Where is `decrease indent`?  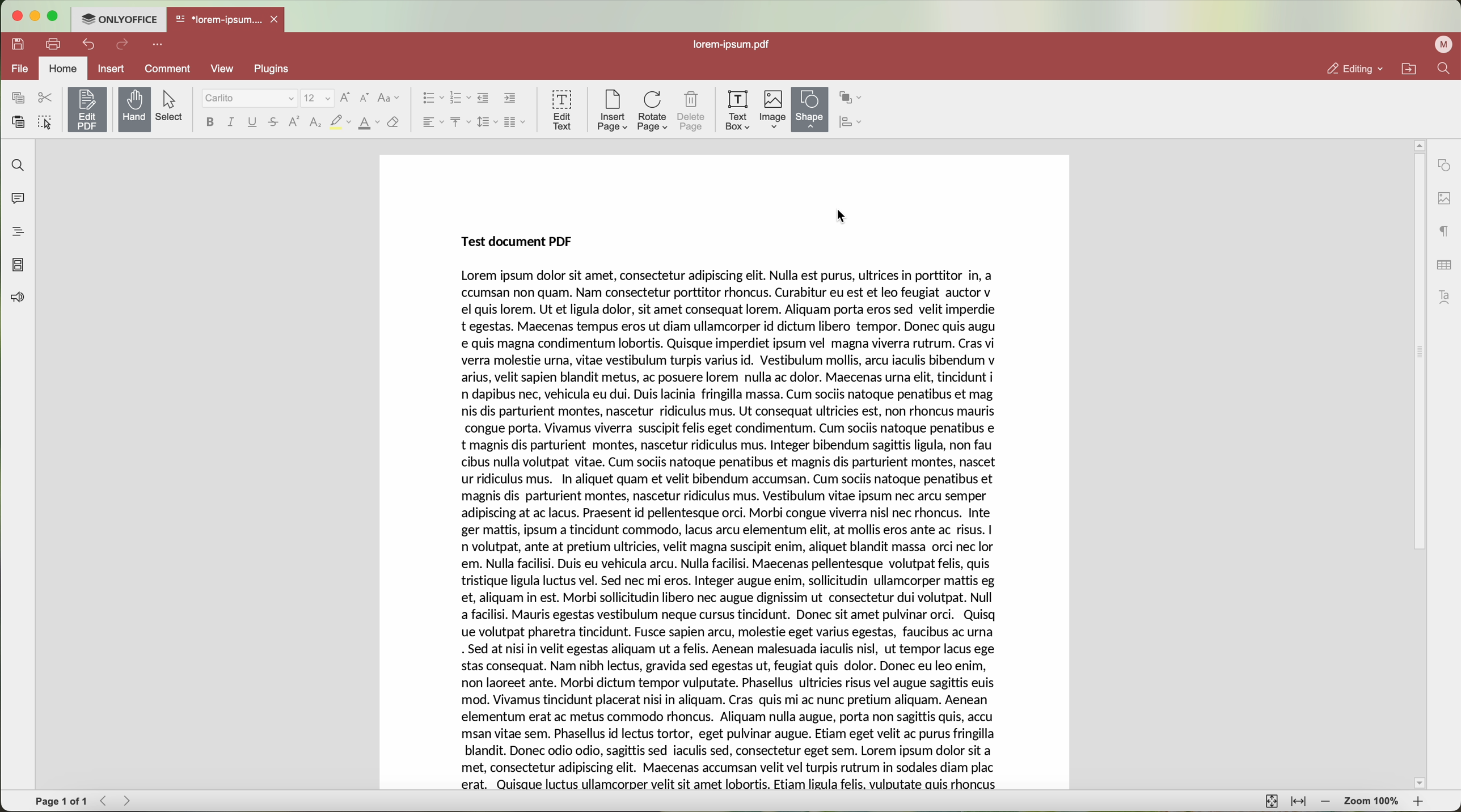 decrease indent is located at coordinates (484, 98).